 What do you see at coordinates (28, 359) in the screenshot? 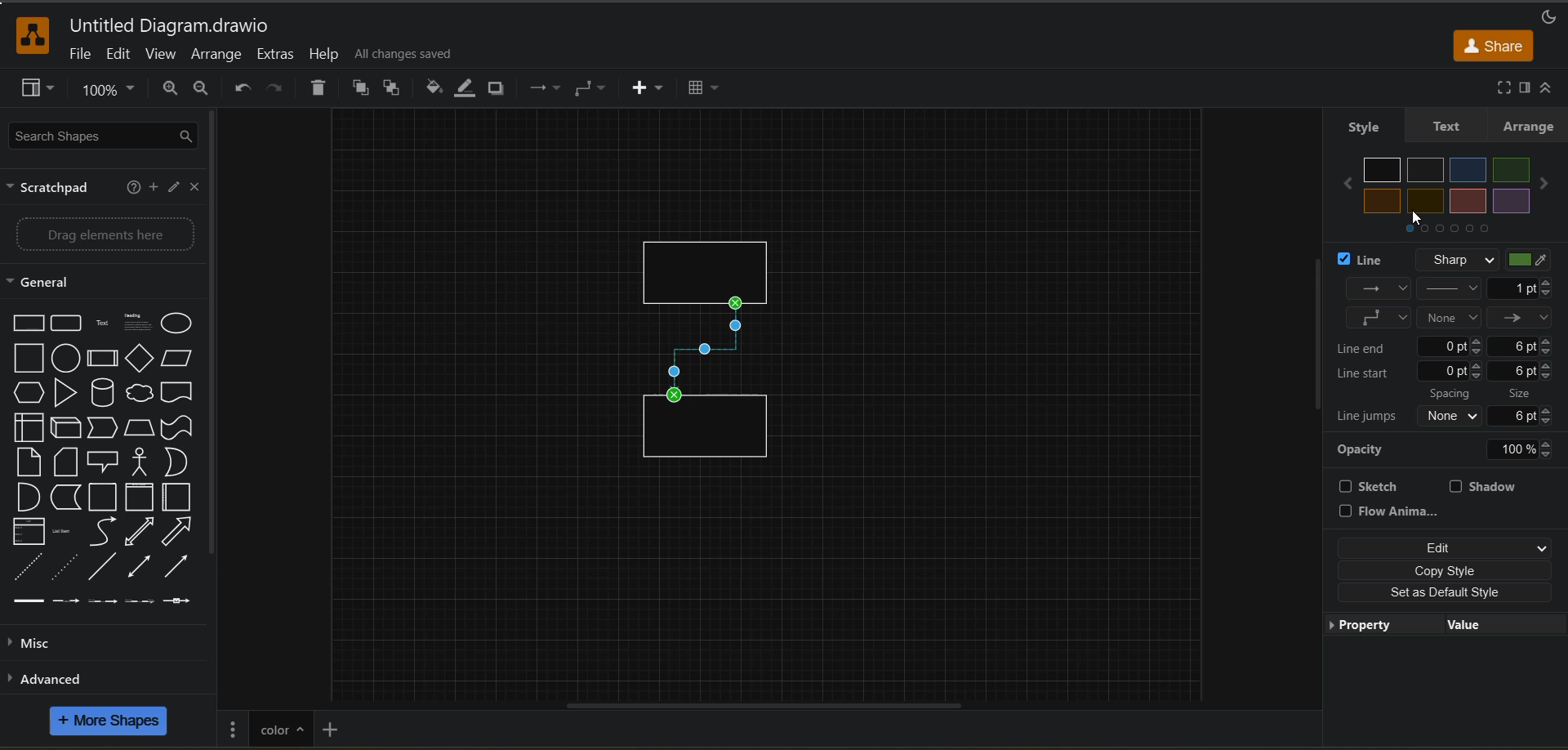
I see `Square` at bounding box center [28, 359].